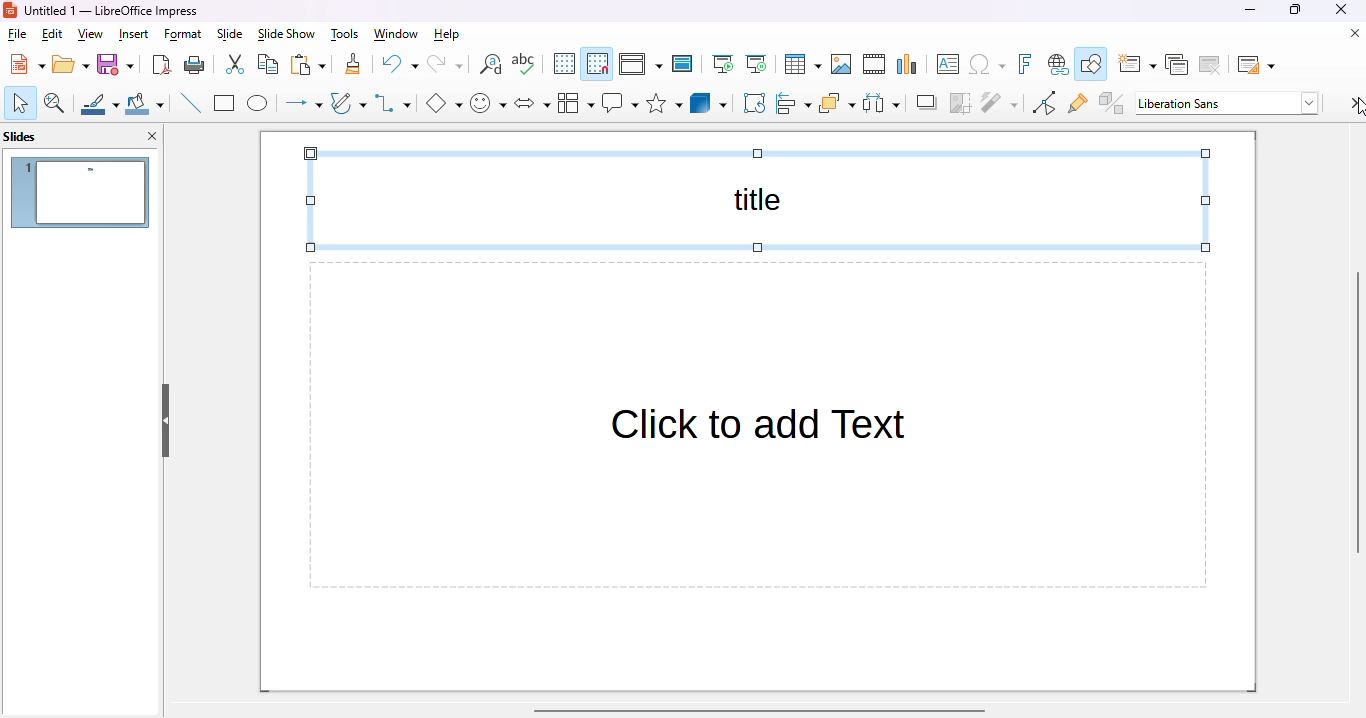 The height and width of the screenshot is (718, 1366). I want to click on display grid, so click(564, 63).